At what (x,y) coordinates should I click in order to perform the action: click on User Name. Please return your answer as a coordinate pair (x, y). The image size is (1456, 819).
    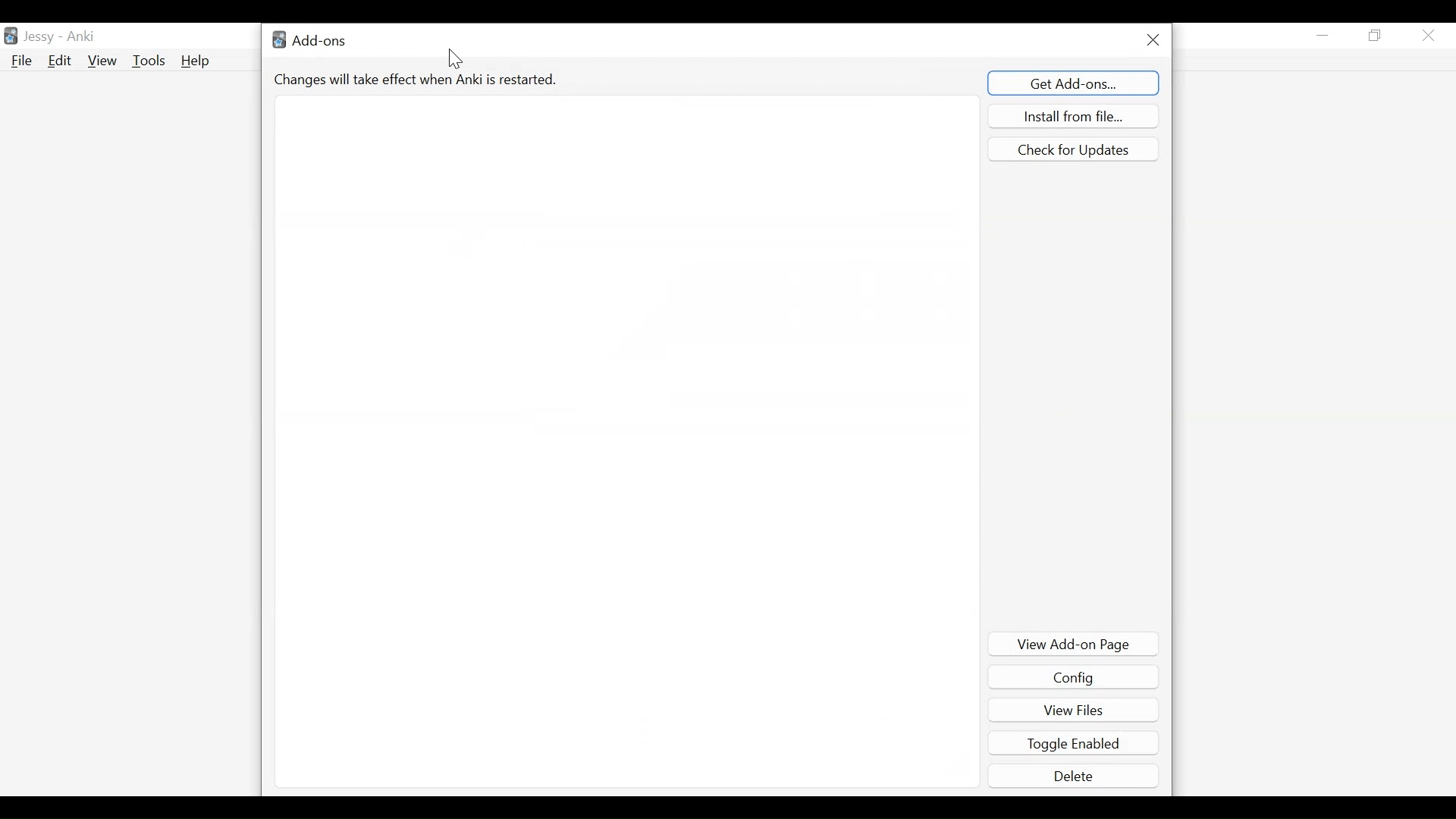
    Looking at the image, I should click on (61, 35).